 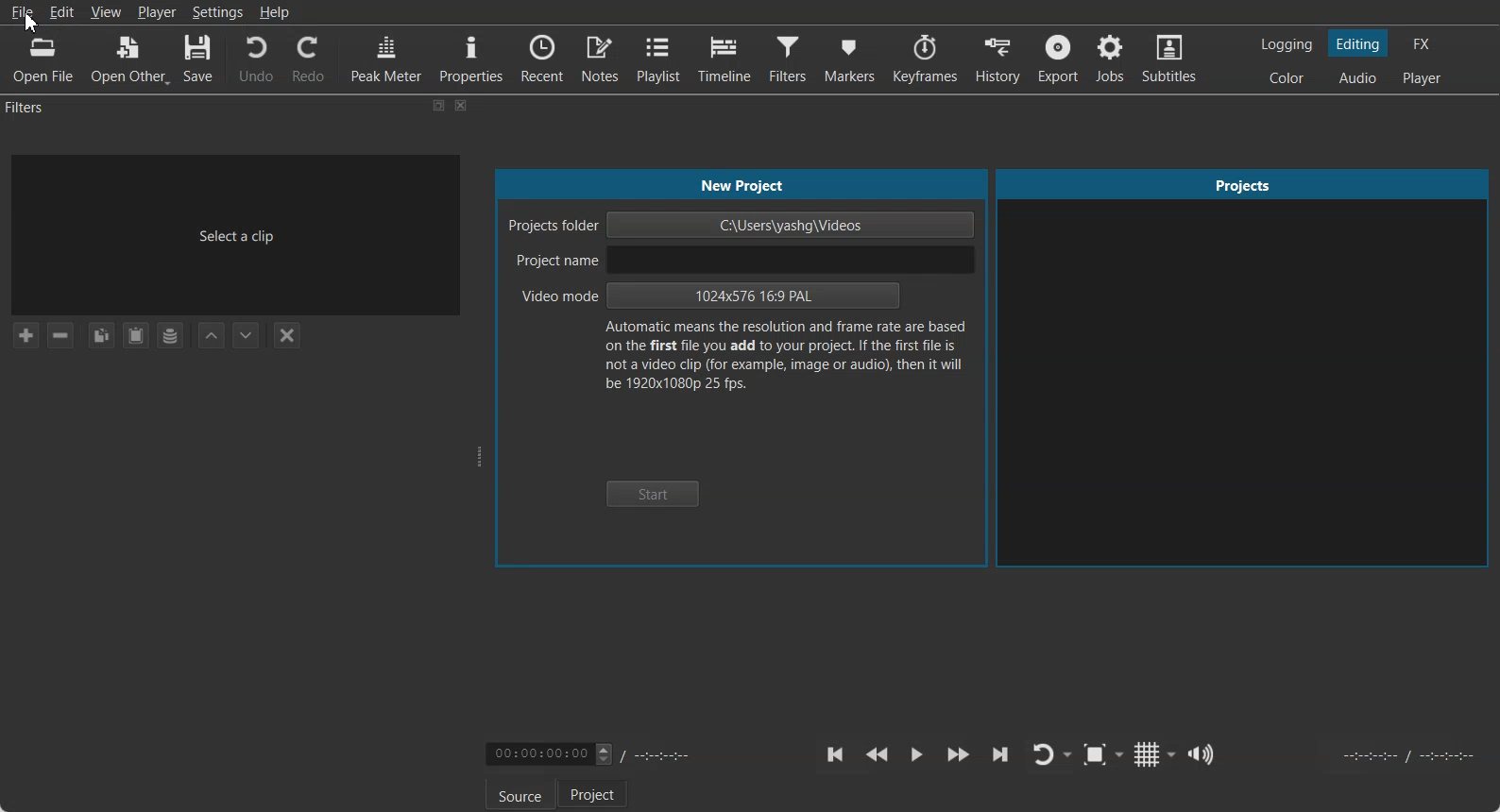 I want to click on , so click(x=169, y=335).